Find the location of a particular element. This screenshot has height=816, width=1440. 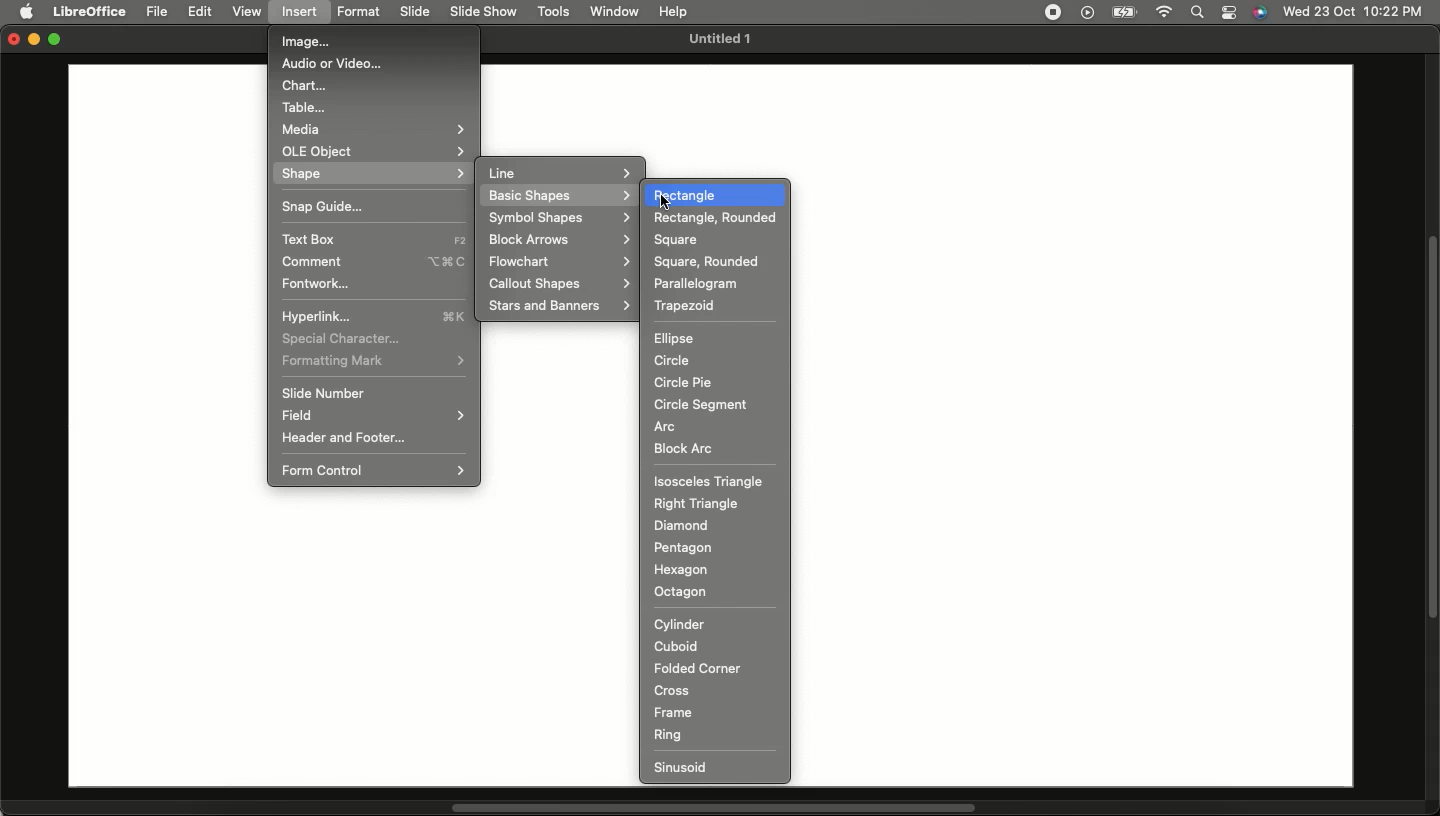

Square rounded is located at coordinates (704, 261).